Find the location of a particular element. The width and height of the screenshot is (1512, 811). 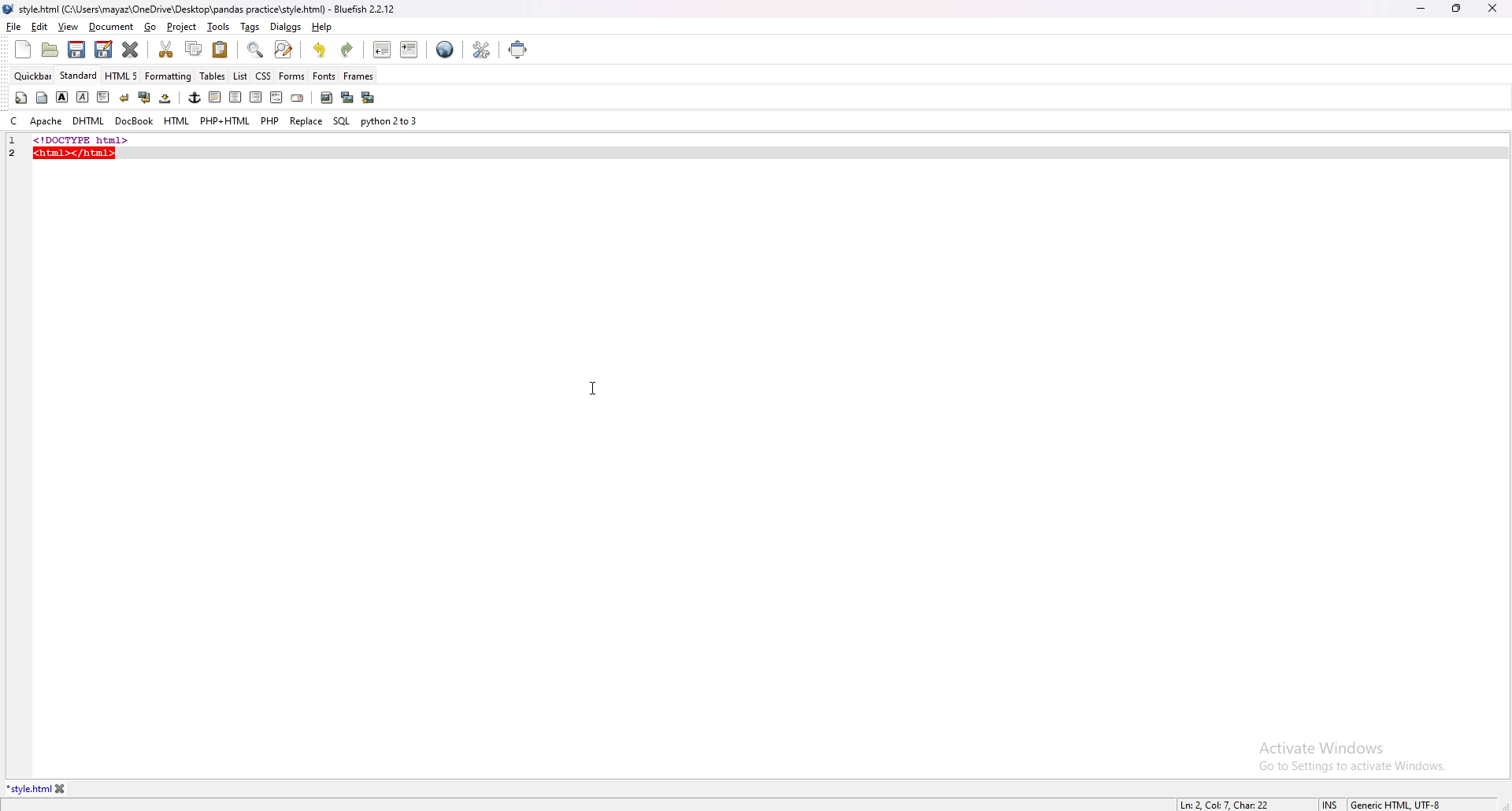

edit is located at coordinates (40, 27).